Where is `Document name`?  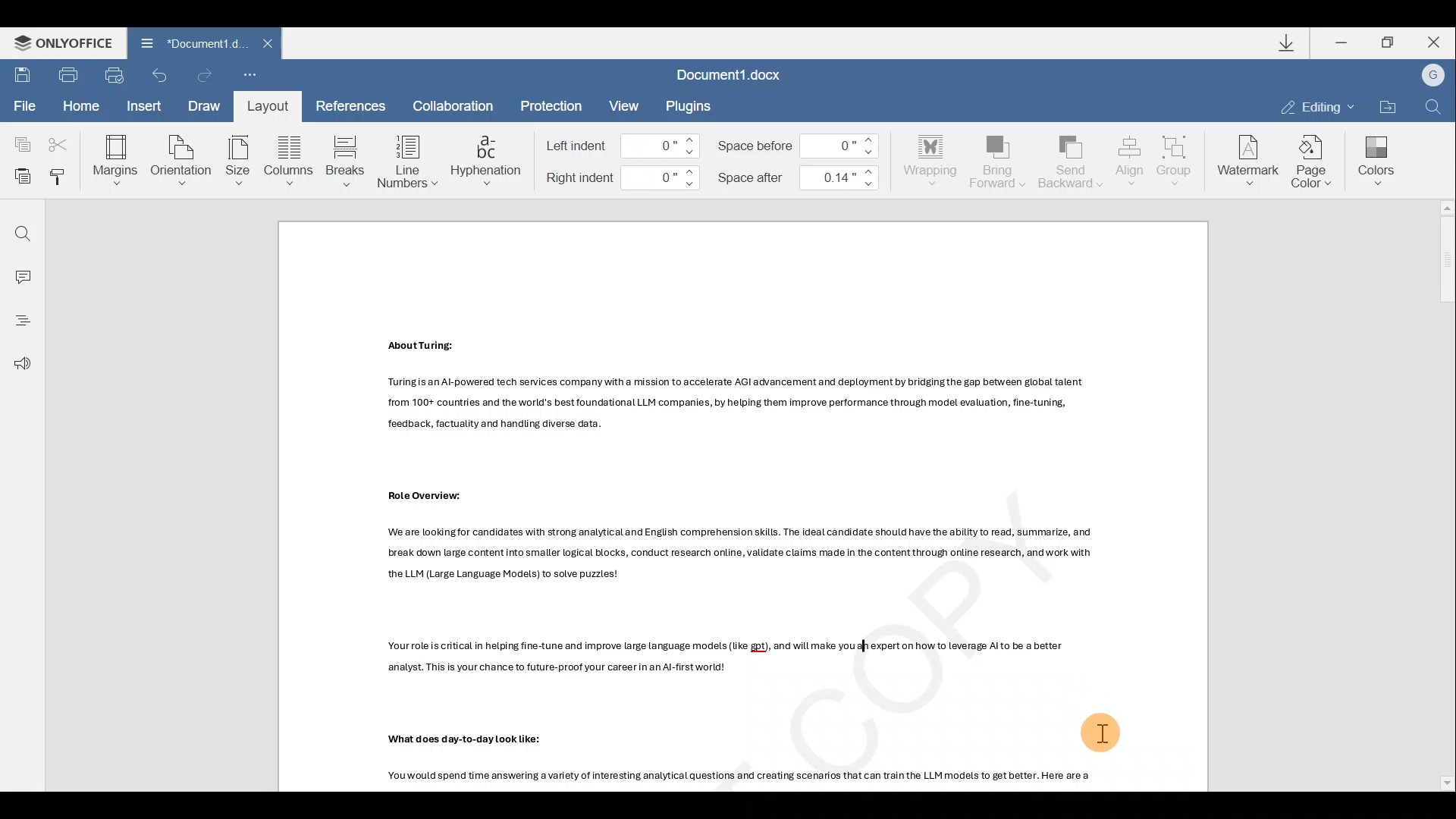
Document name is located at coordinates (187, 42).